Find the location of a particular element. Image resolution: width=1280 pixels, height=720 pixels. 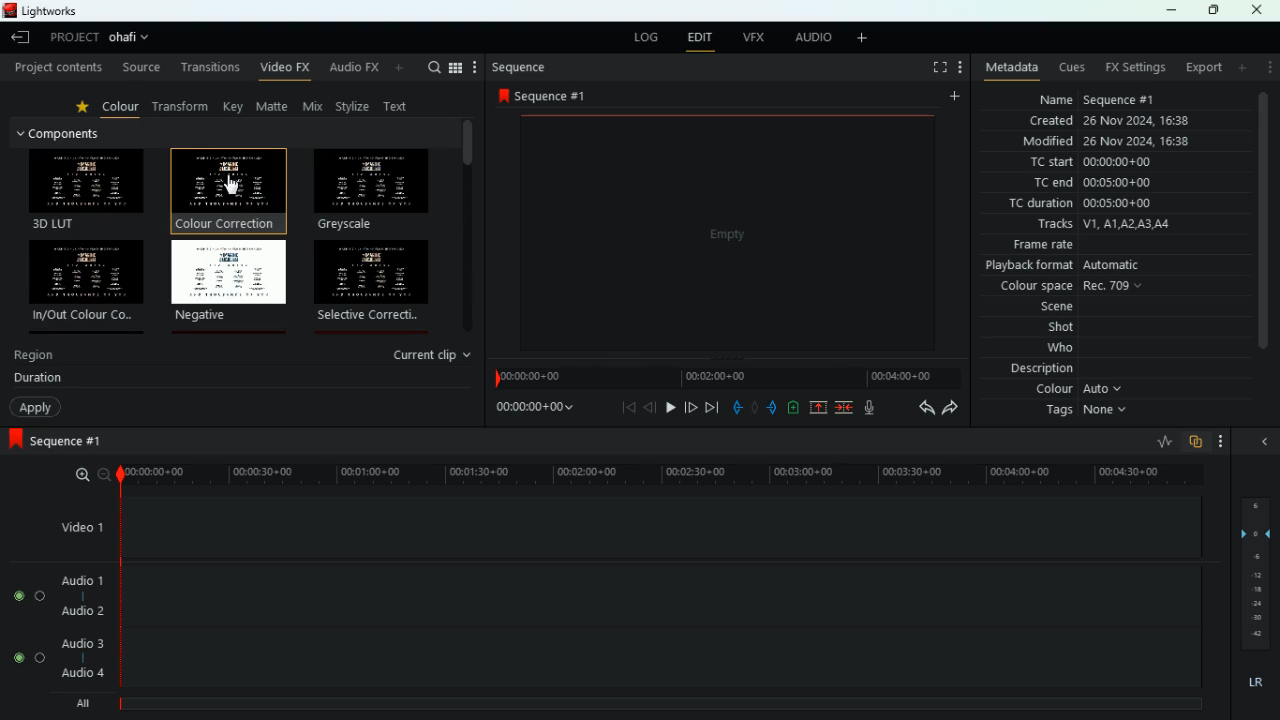

key is located at coordinates (234, 107).